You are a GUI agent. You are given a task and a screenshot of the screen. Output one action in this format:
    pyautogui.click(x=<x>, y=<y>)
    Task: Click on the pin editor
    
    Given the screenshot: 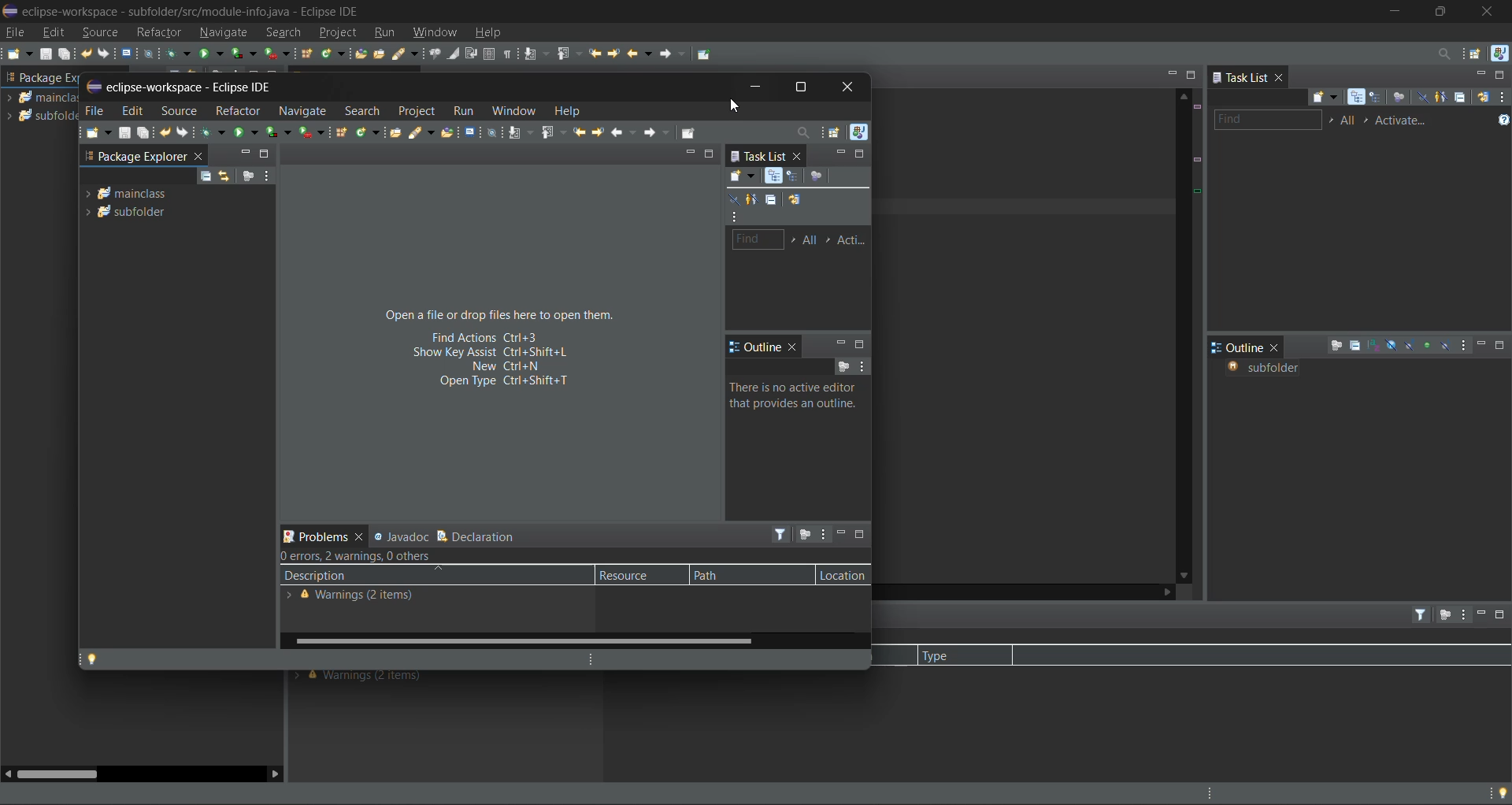 What is the action you would take?
    pyautogui.click(x=692, y=135)
    